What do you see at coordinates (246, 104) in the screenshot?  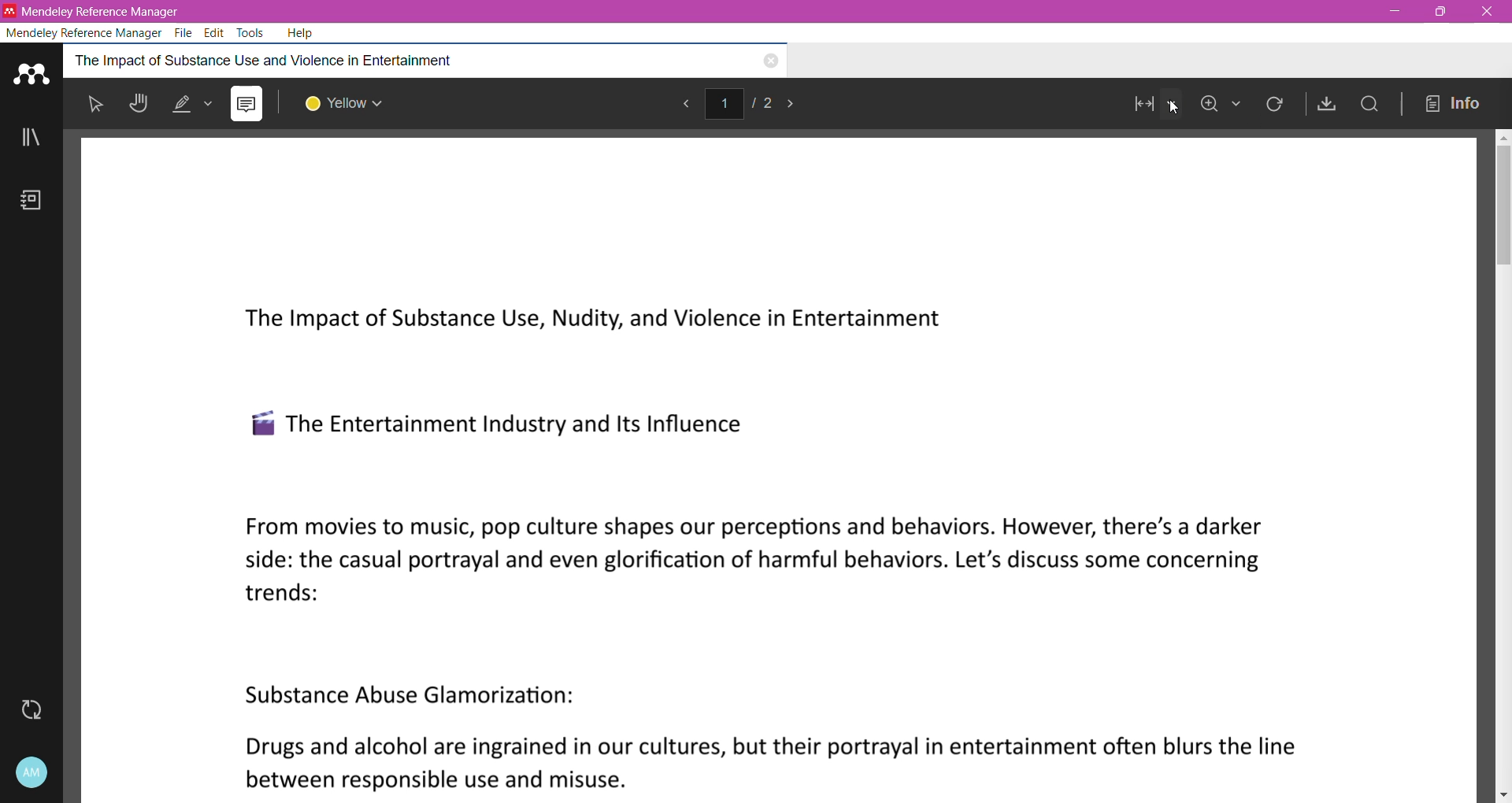 I see `Add Comment` at bounding box center [246, 104].